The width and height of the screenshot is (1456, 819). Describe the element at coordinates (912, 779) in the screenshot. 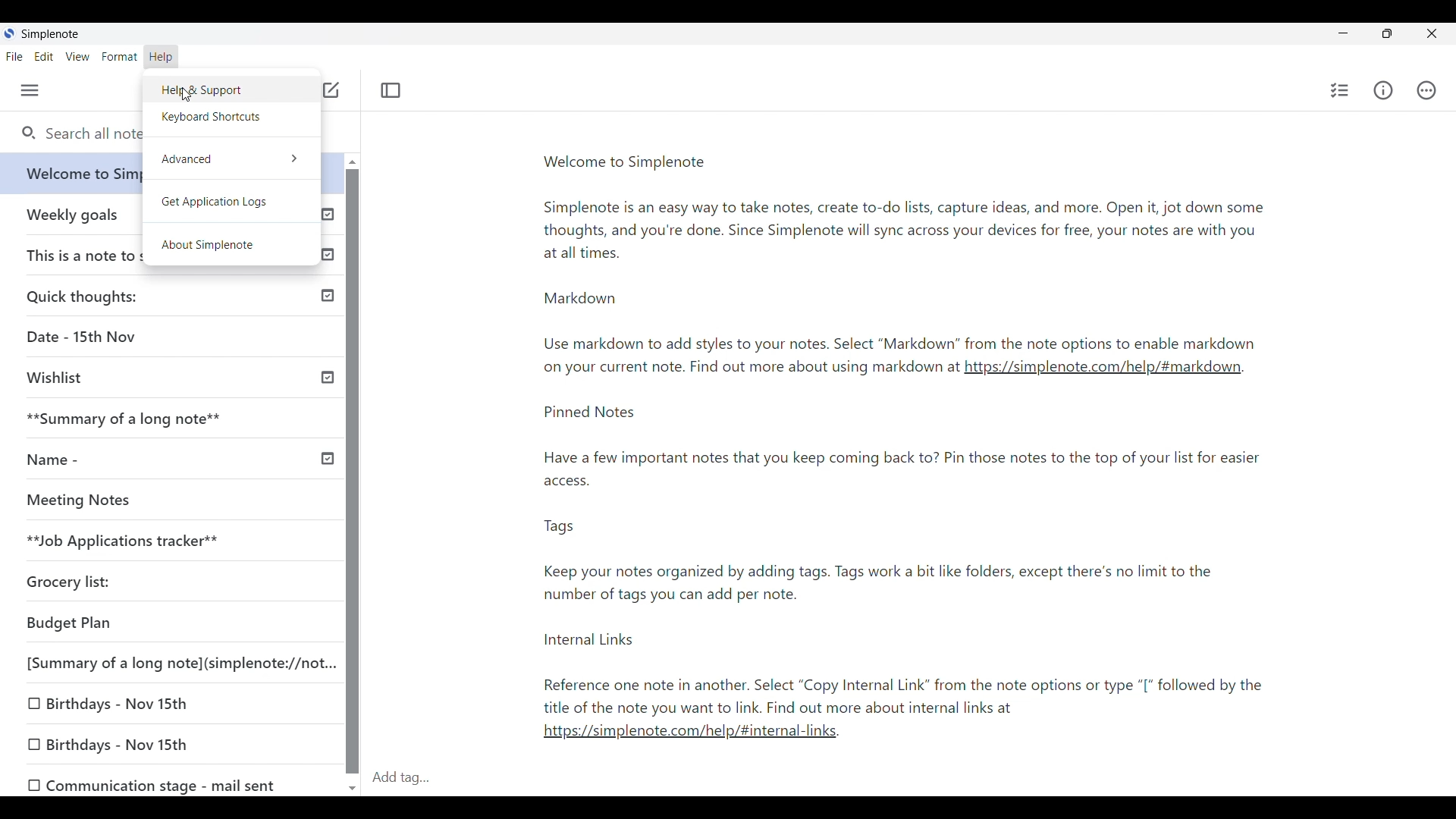

I see `Click to type in tags` at that location.